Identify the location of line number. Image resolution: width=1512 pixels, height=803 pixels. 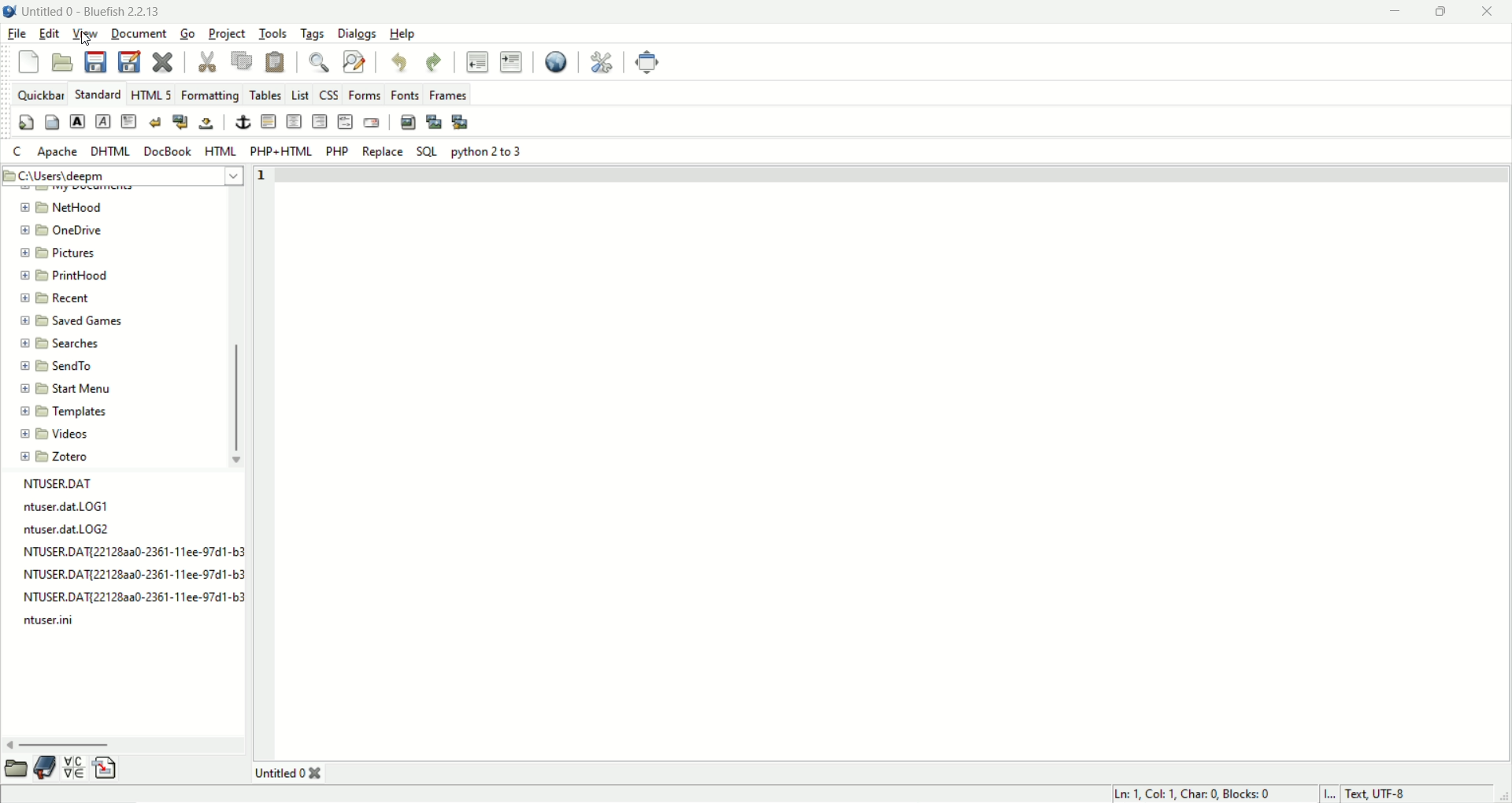
(265, 175).